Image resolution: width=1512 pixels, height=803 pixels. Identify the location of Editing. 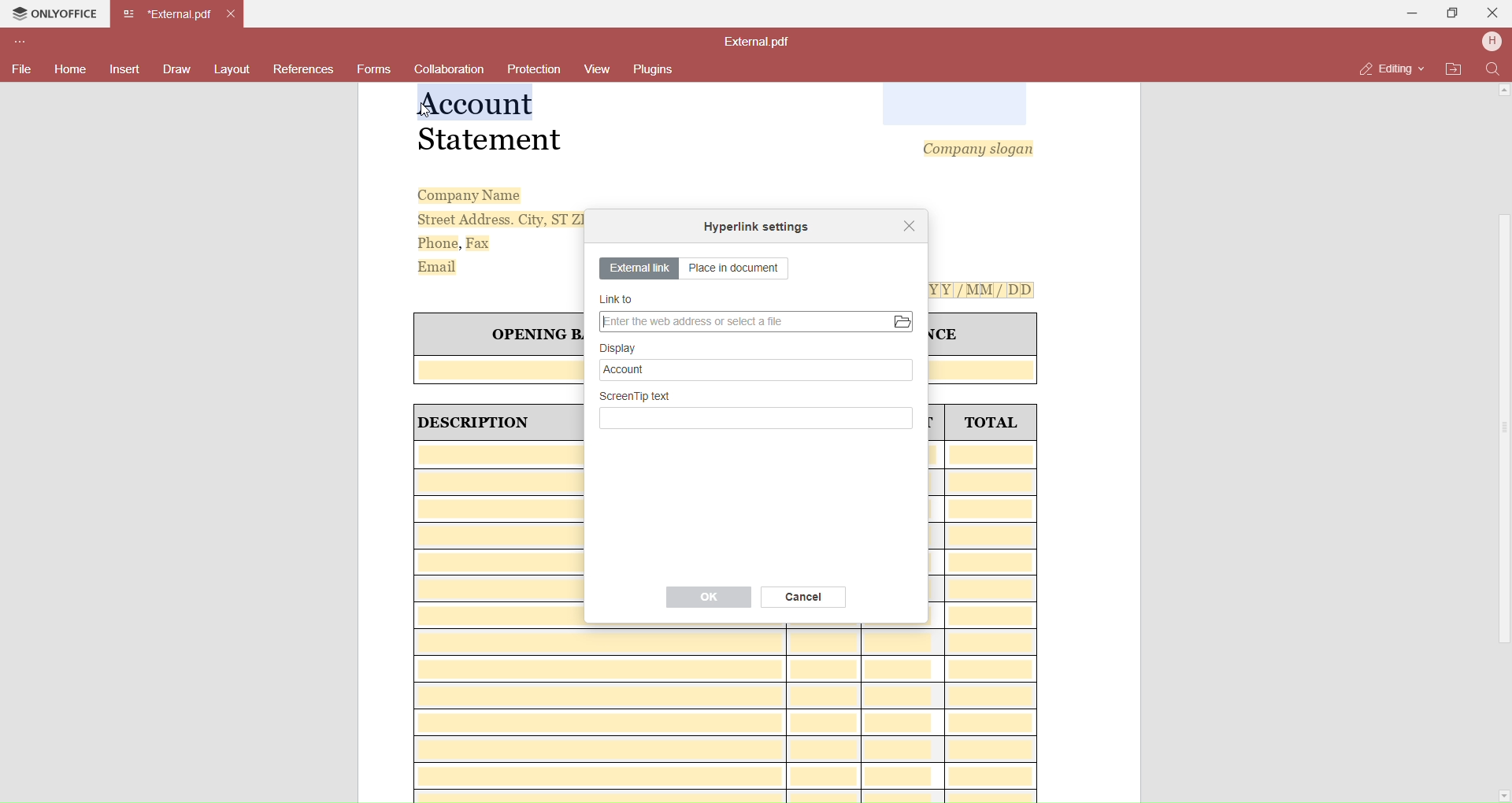
(1390, 69).